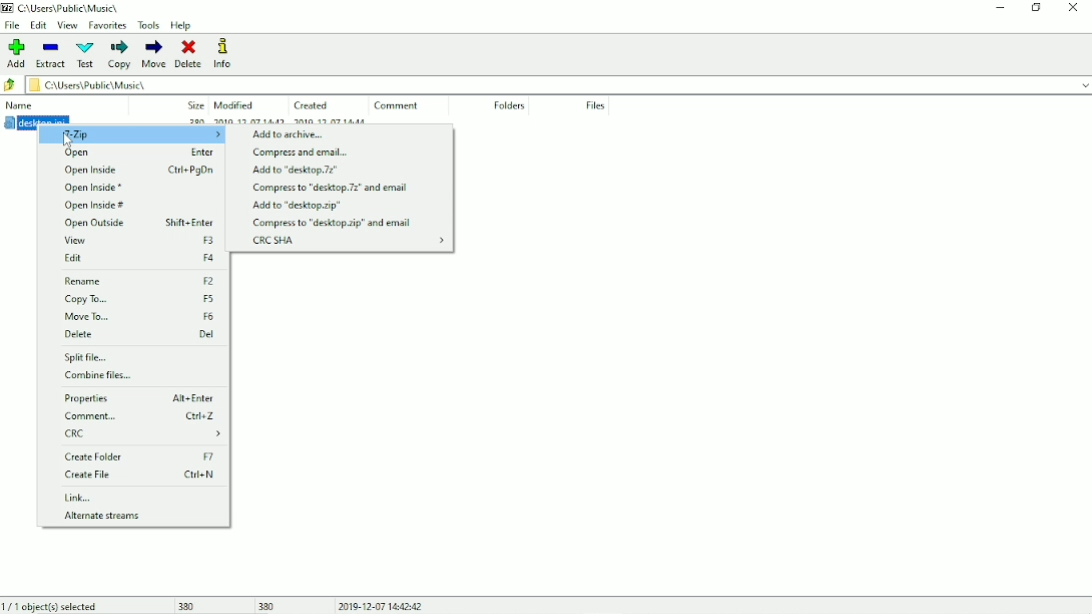 Image resolution: width=1092 pixels, height=614 pixels. Describe the element at coordinates (507, 106) in the screenshot. I see `Folders` at that location.